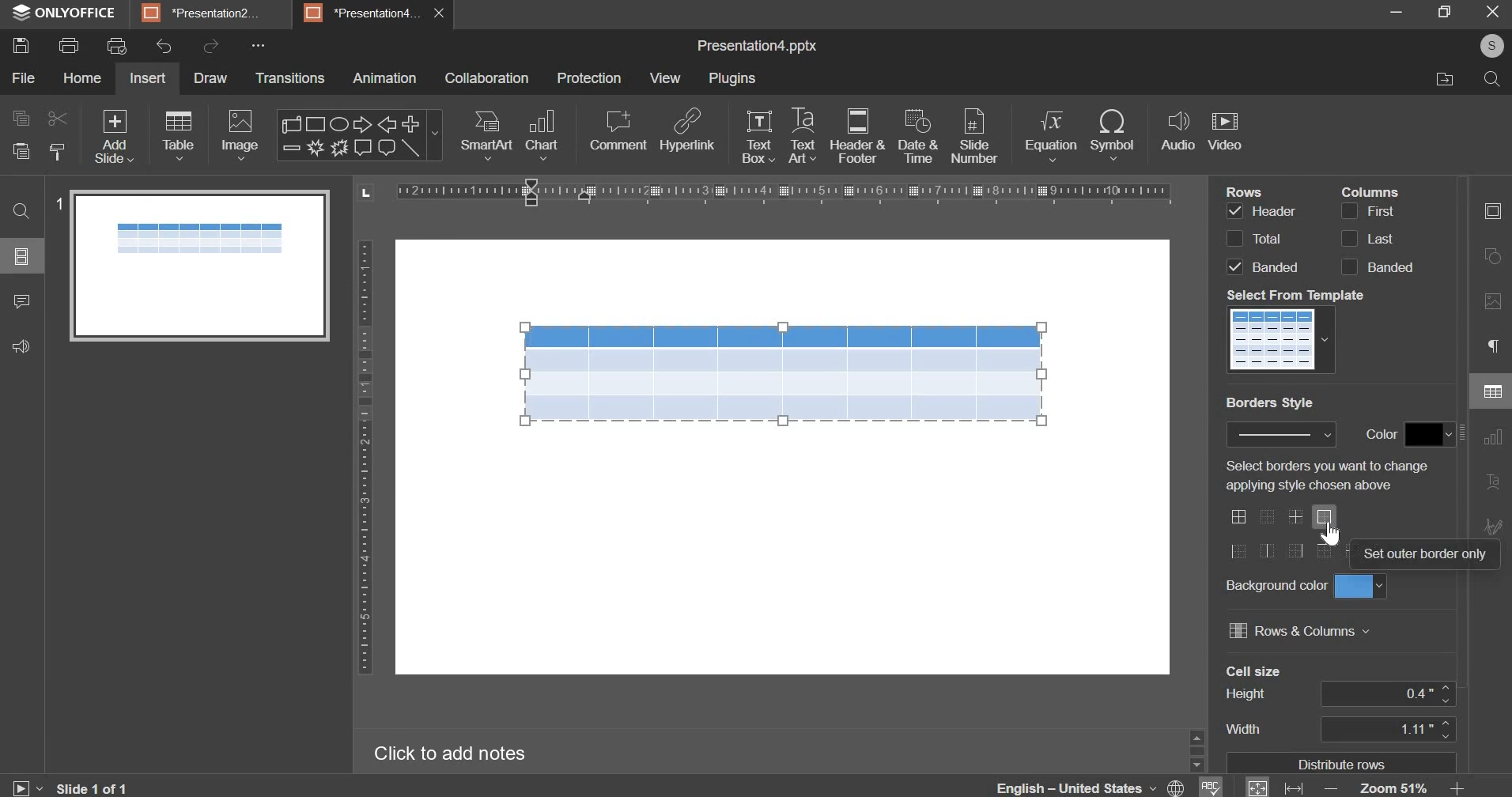  Describe the element at coordinates (1331, 475) in the screenshot. I see `select borders you want to change` at that location.